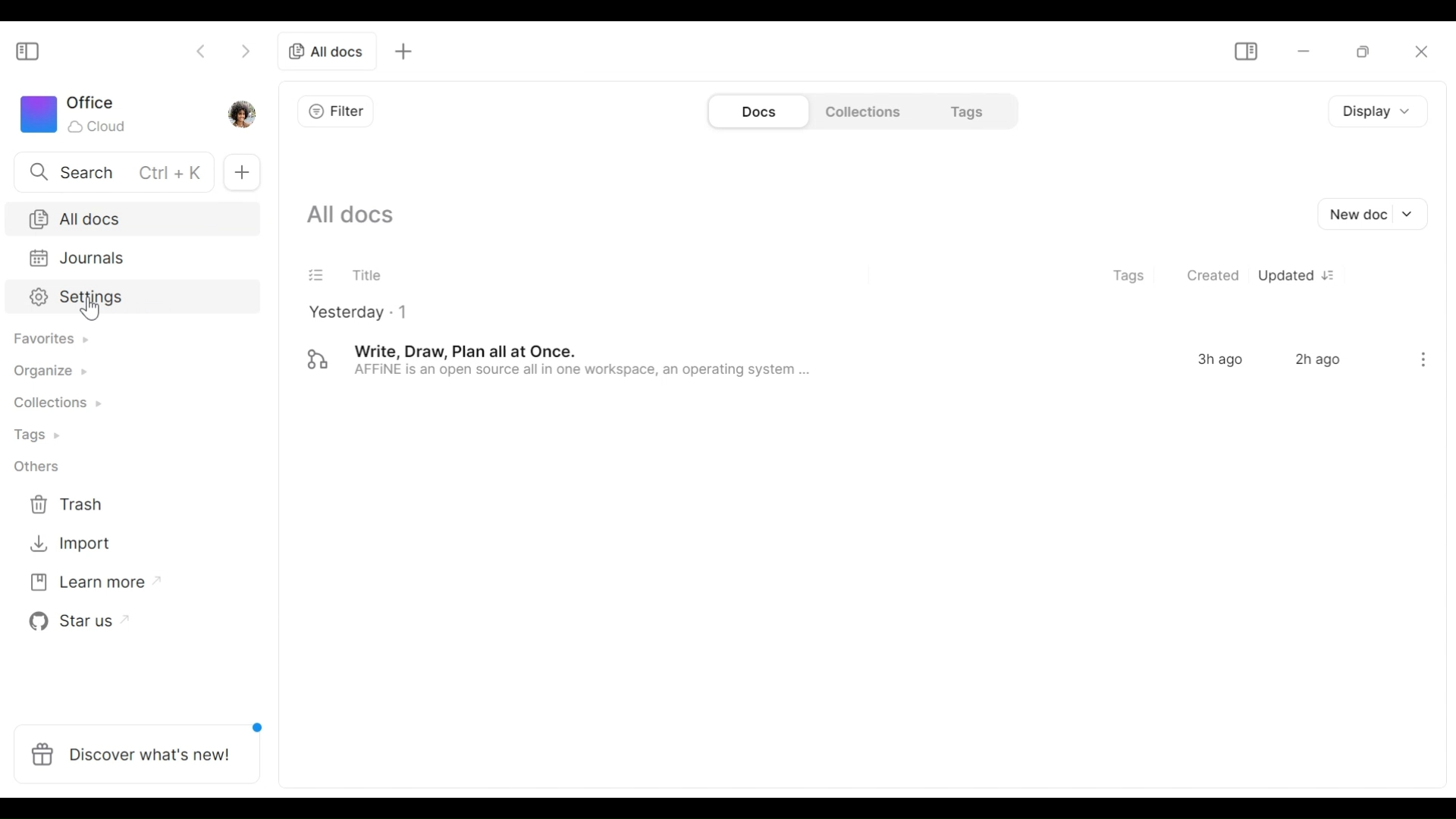 This screenshot has height=819, width=1456. Describe the element at coordinates (69, 621) in the screenshot. I see `Star us` at that location.